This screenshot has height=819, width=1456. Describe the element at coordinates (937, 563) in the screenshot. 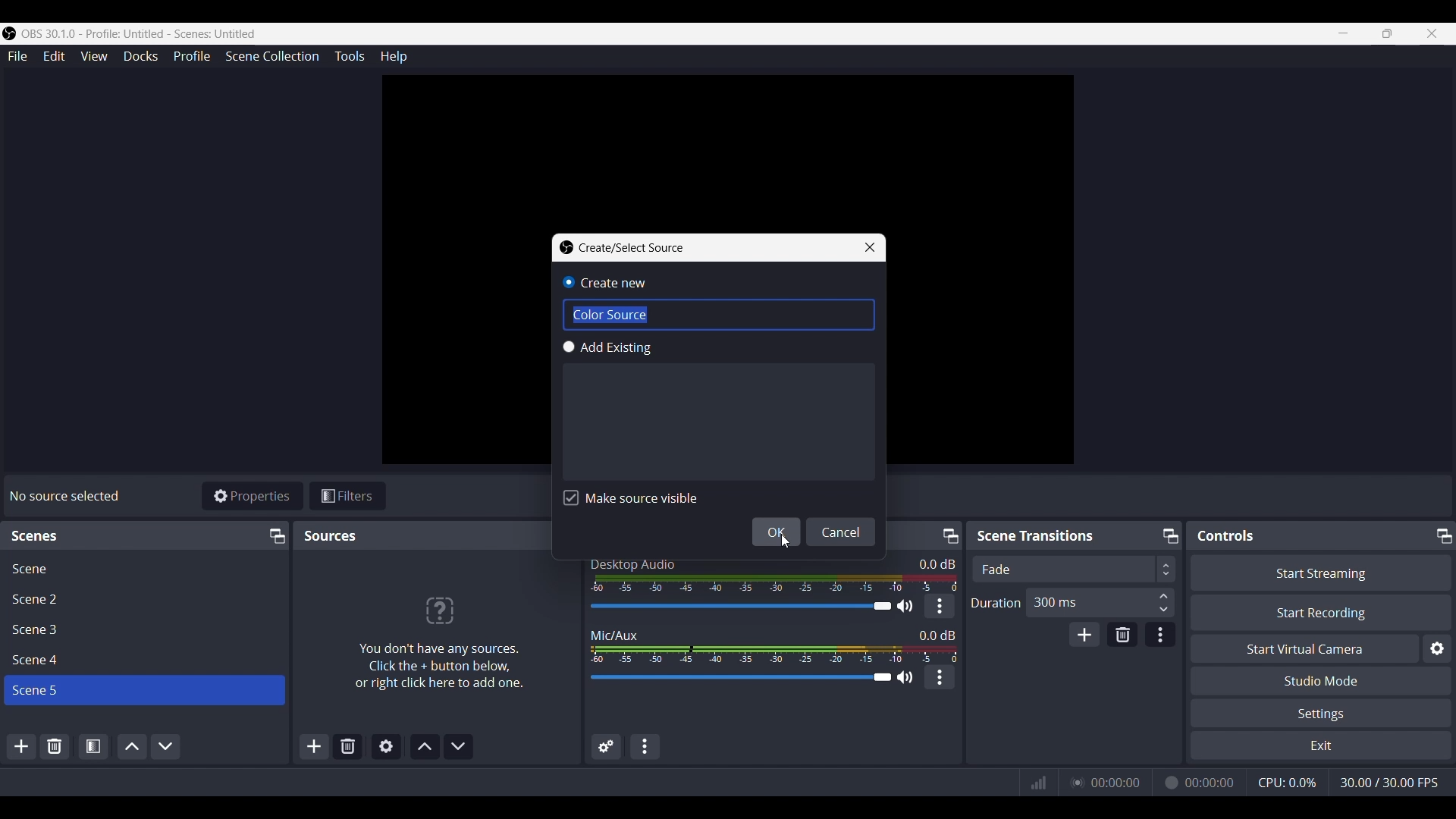

I see `0.0 dB` at that location.